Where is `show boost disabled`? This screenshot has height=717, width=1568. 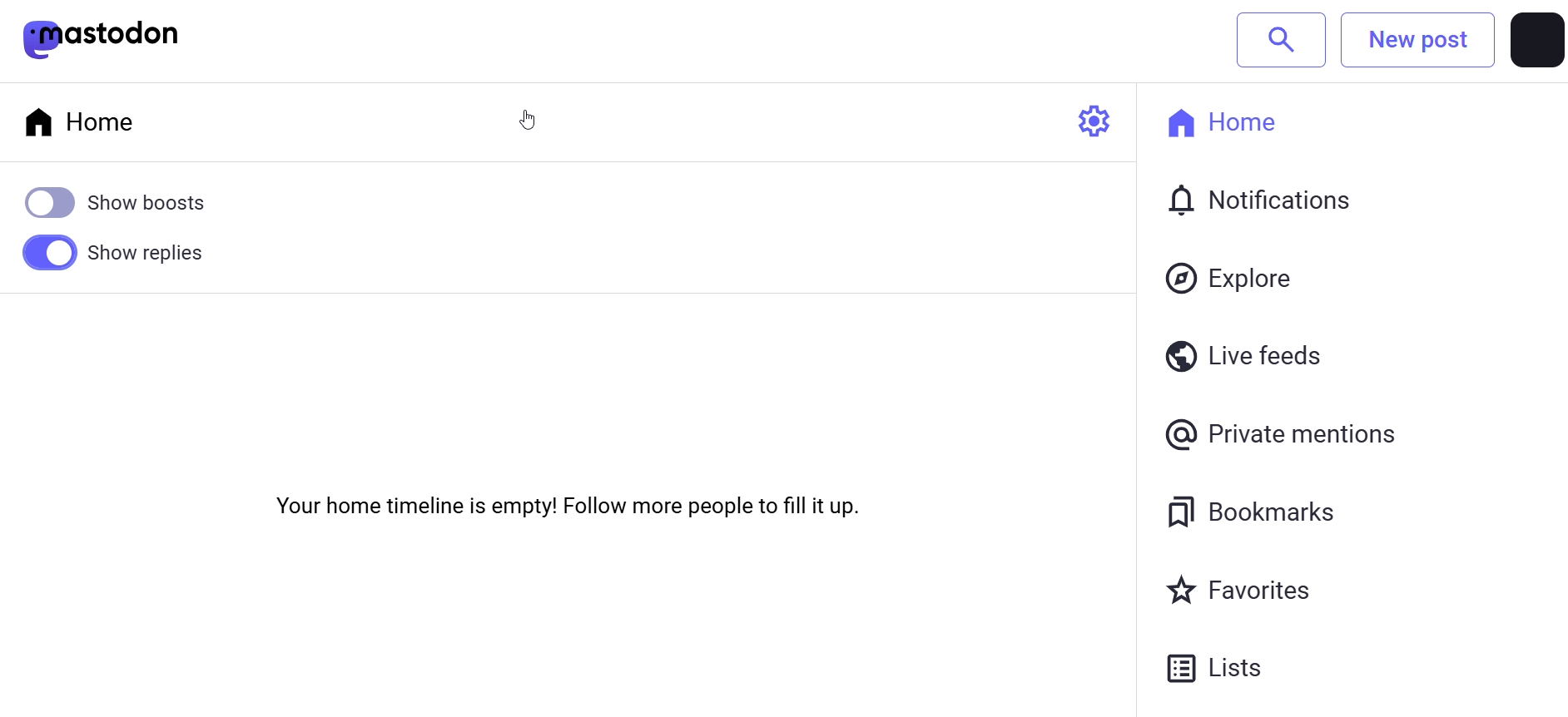
show boost disabled is located at coordinates (133, 200).